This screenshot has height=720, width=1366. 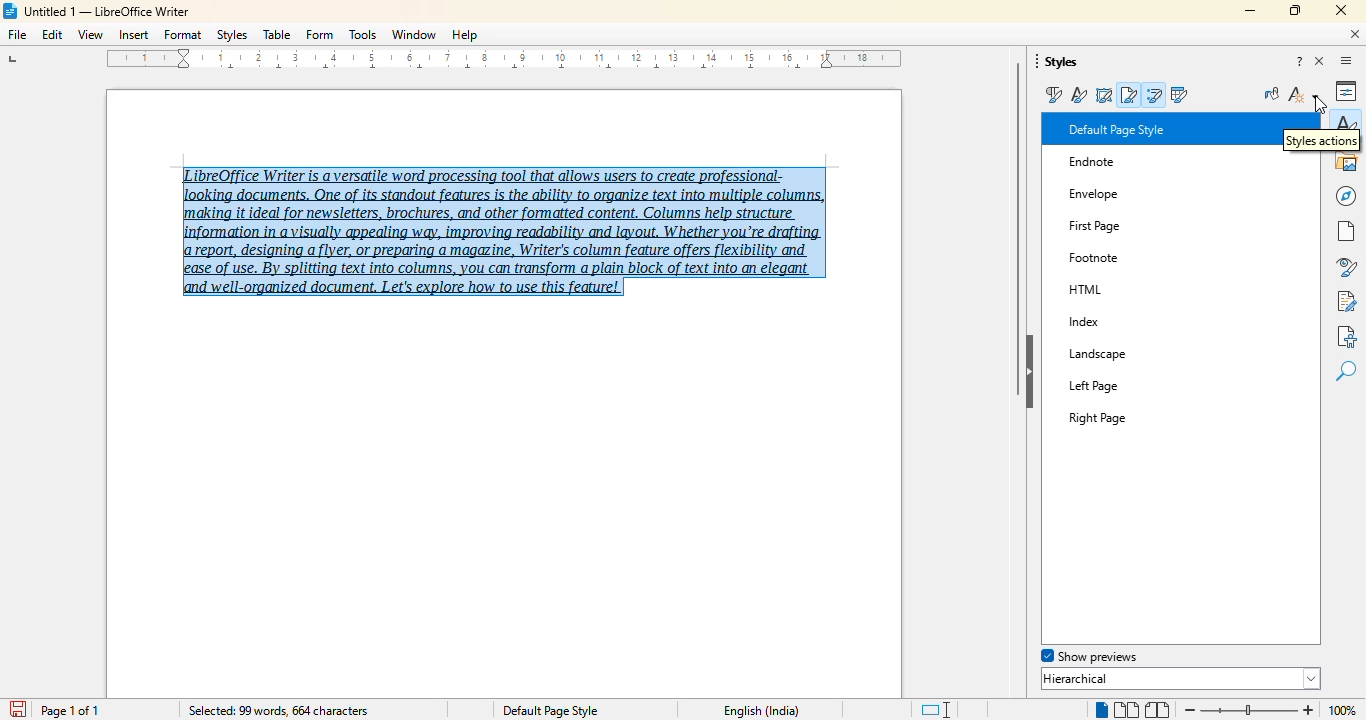 What do you see at coordinates (1130, 94) in the screenshot?
I see `page styles` at bounding box center [1130, 94].